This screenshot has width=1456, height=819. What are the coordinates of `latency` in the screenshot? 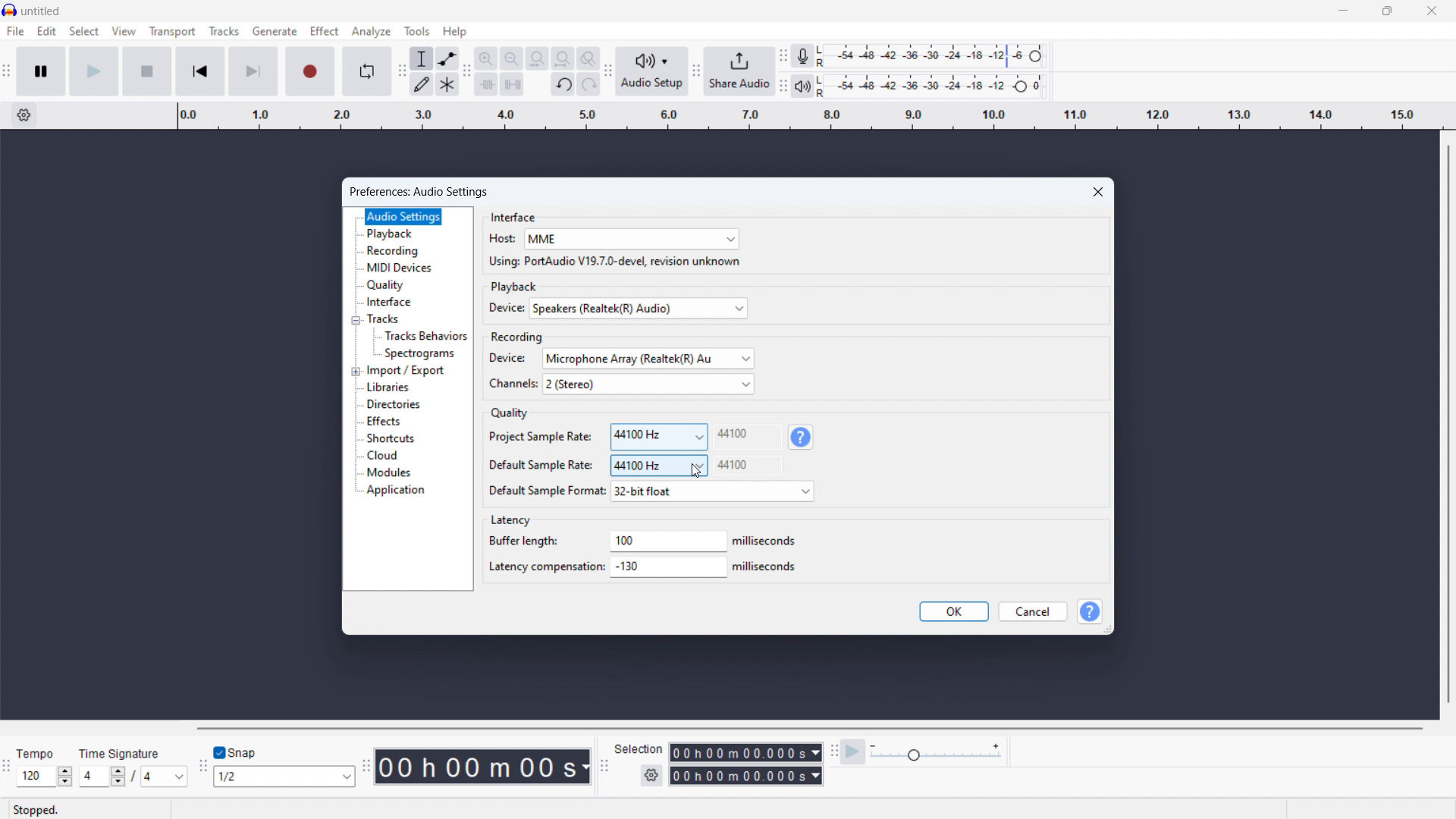 It's located at (510, 521).